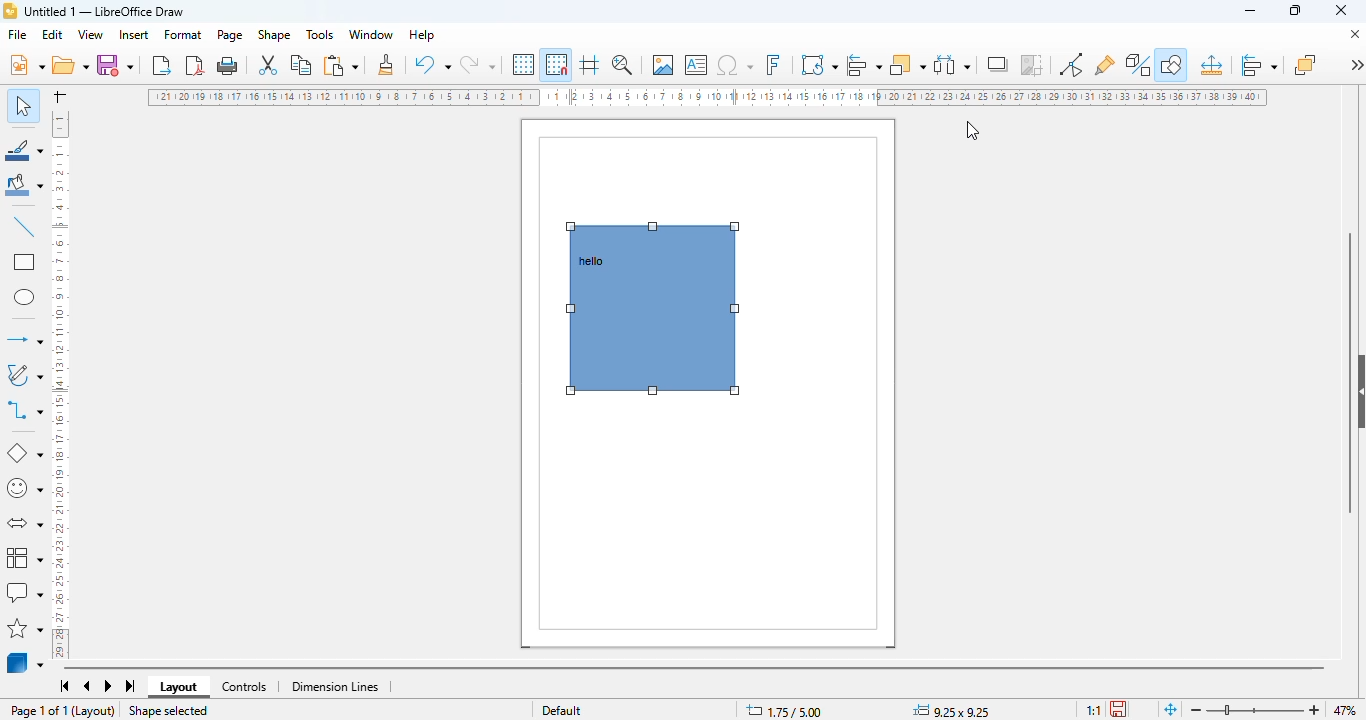 The image size is (1366, 720). I want to click on helplines while moving, so click(589, 64).